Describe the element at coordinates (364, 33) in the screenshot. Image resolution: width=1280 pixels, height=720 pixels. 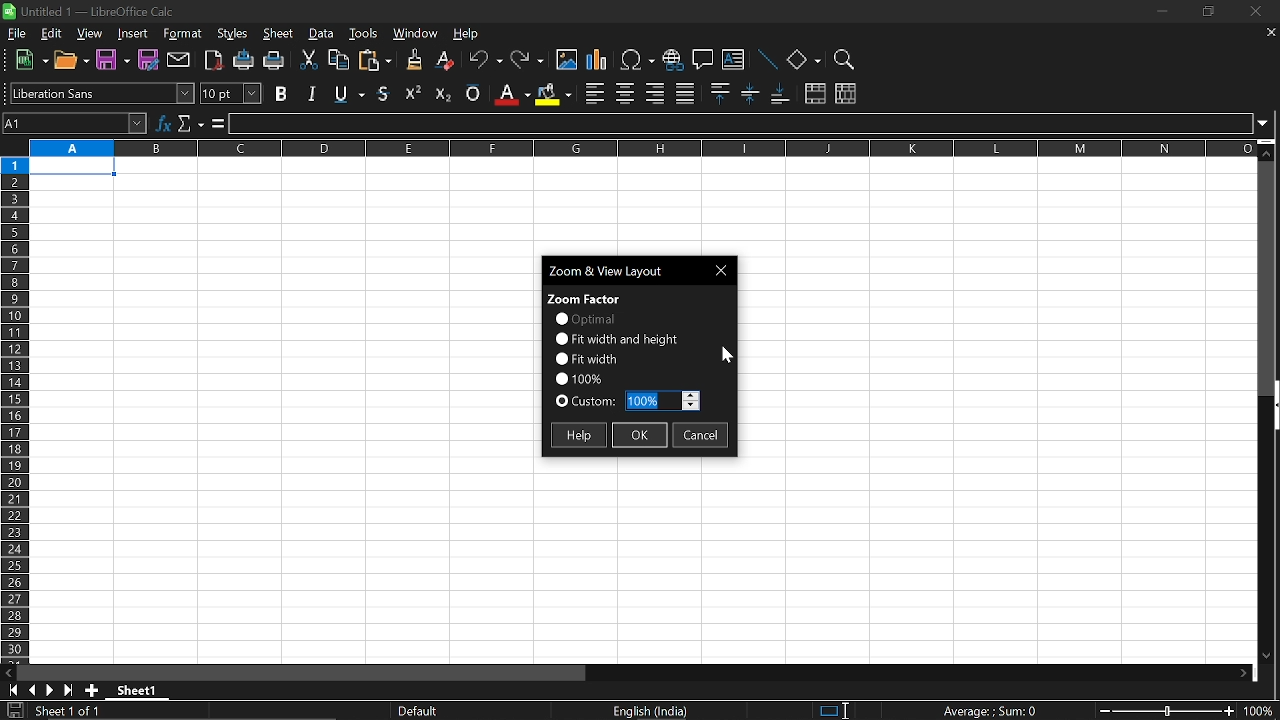
I see `tools` at that location.